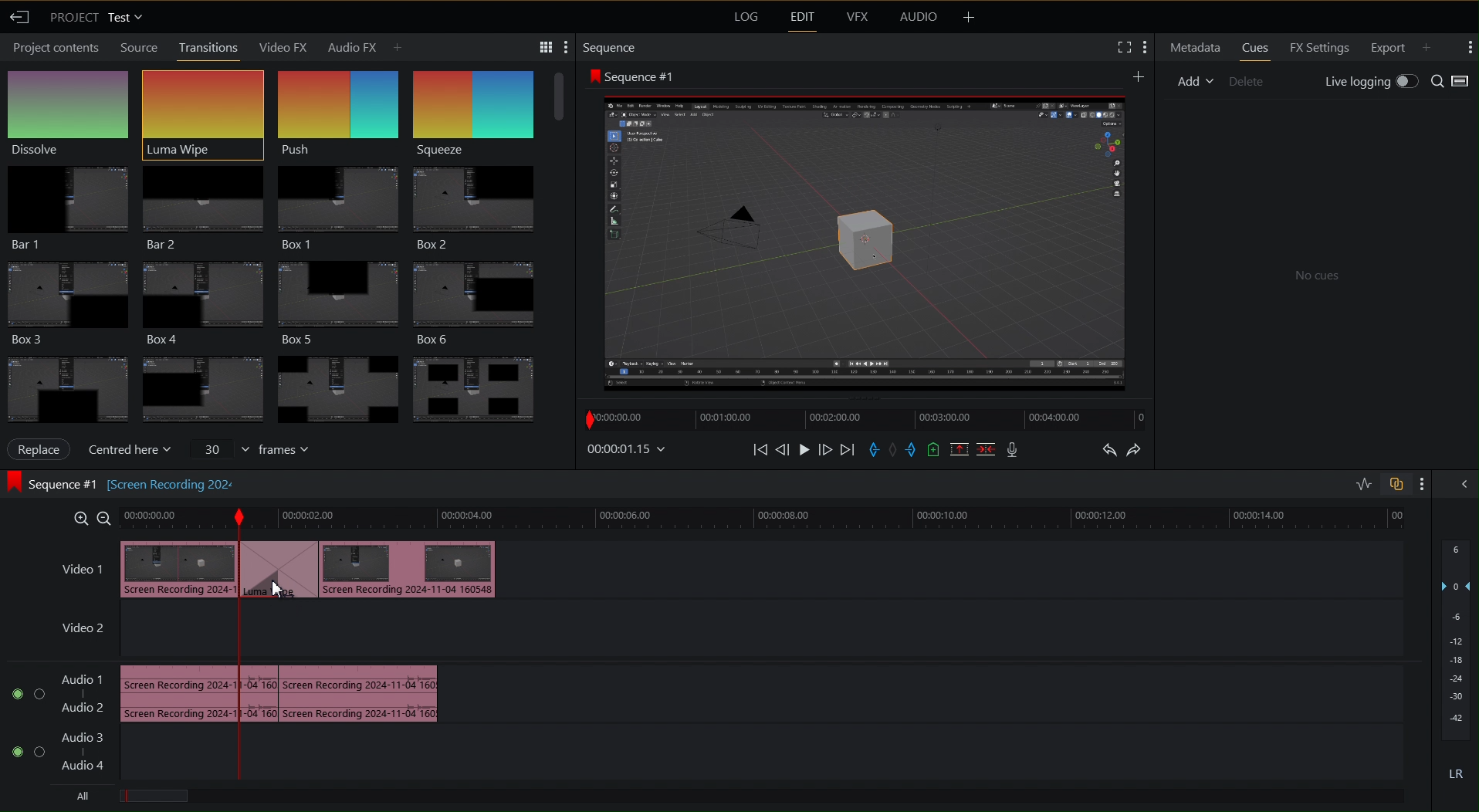 The height and width of the screenshot is (812, 1479). I want to click on Remove Marker, so click(895, 450).